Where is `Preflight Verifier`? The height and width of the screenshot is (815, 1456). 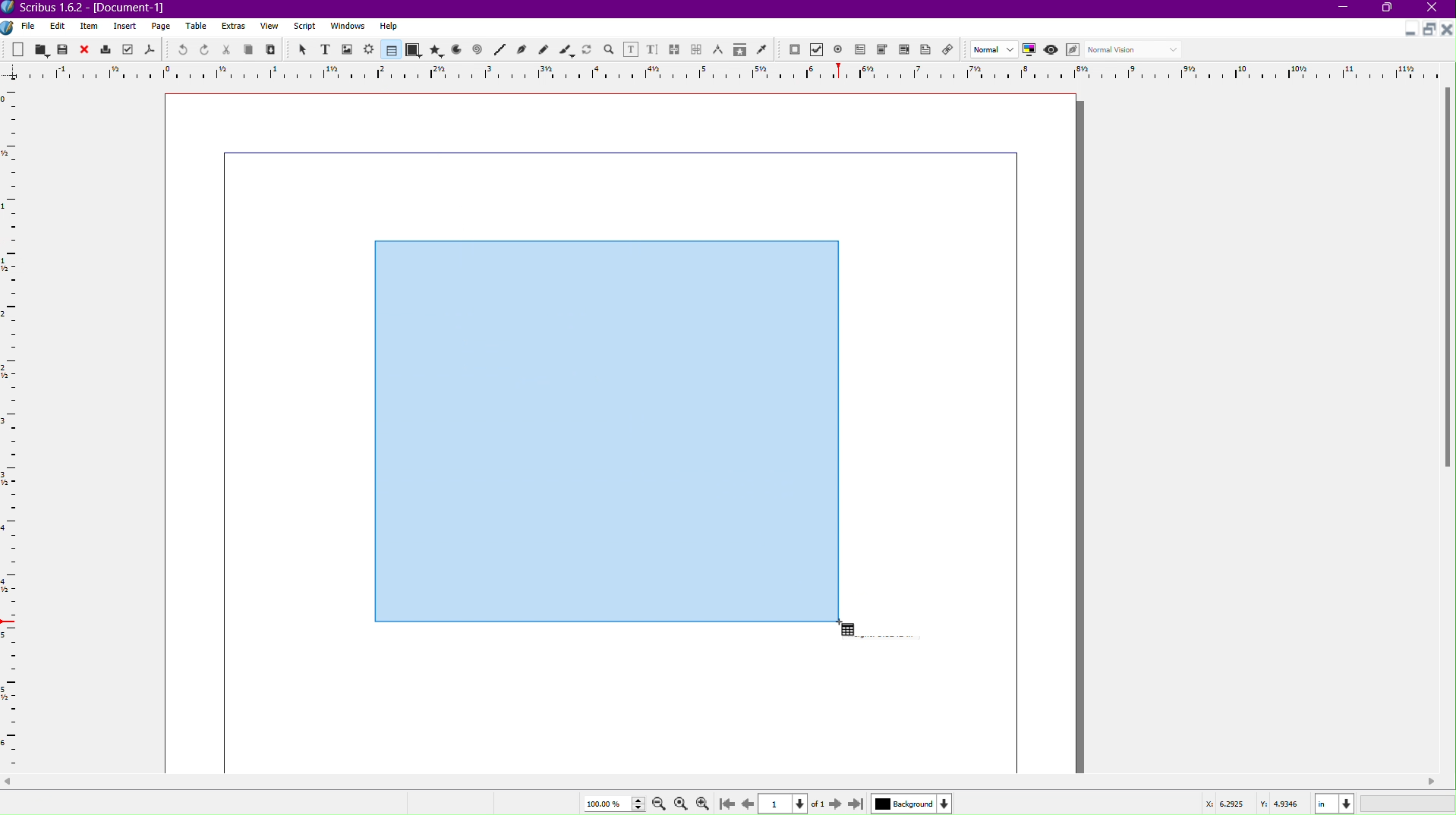
Preflight Verifier is located at coordinates (125, 50).